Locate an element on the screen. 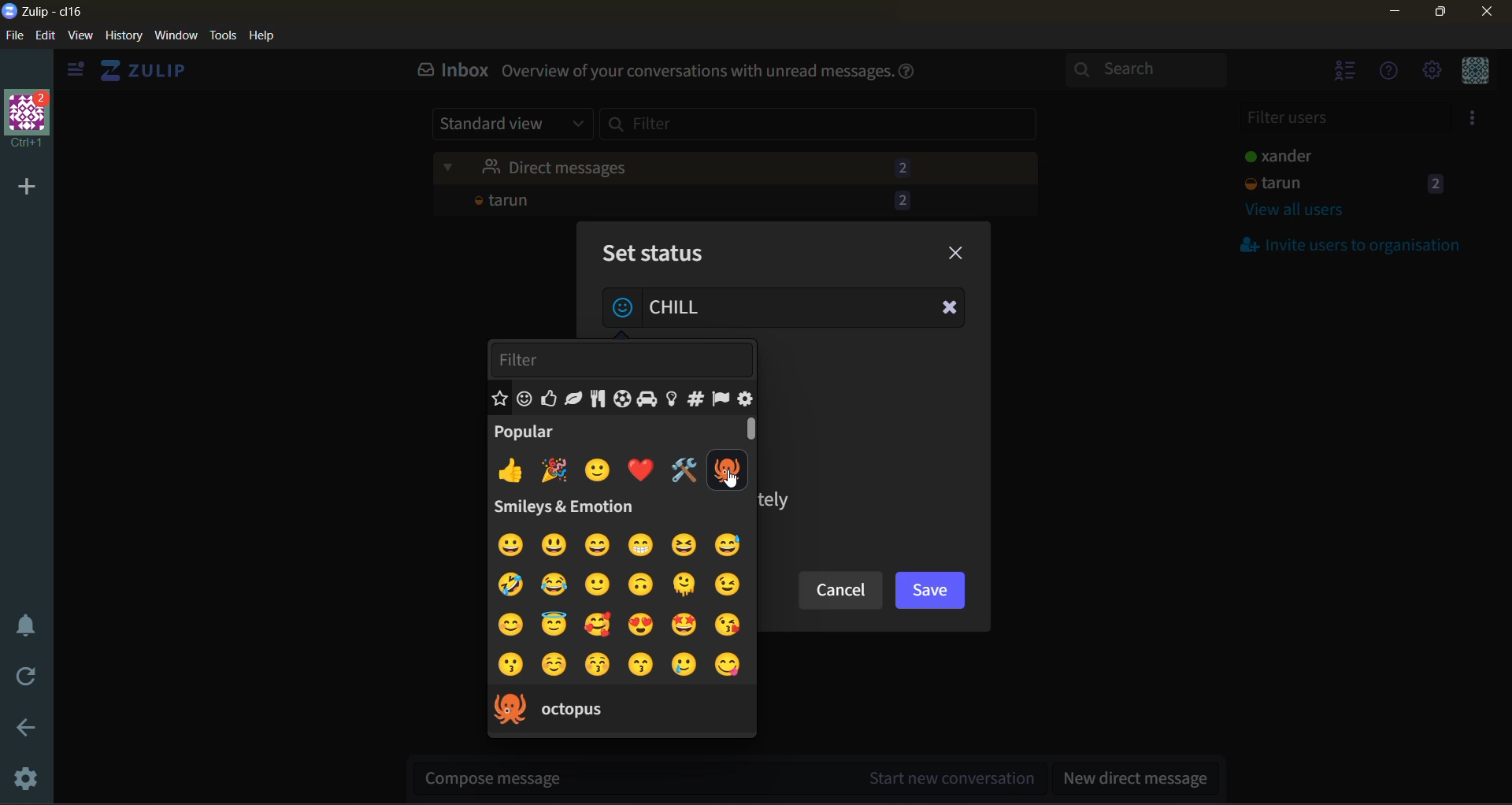  emoji is located at coordinates (686, 625).